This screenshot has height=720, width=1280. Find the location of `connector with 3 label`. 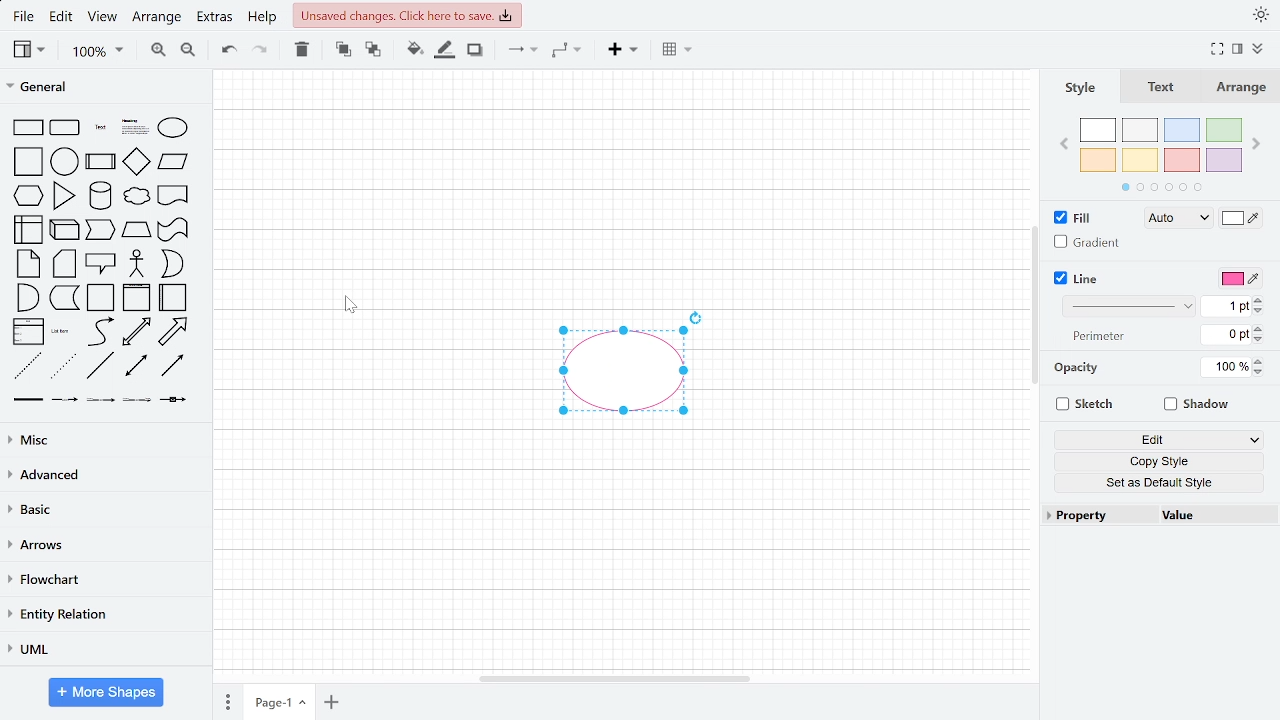

connector with 3 label is located at coordinates (137, 402).